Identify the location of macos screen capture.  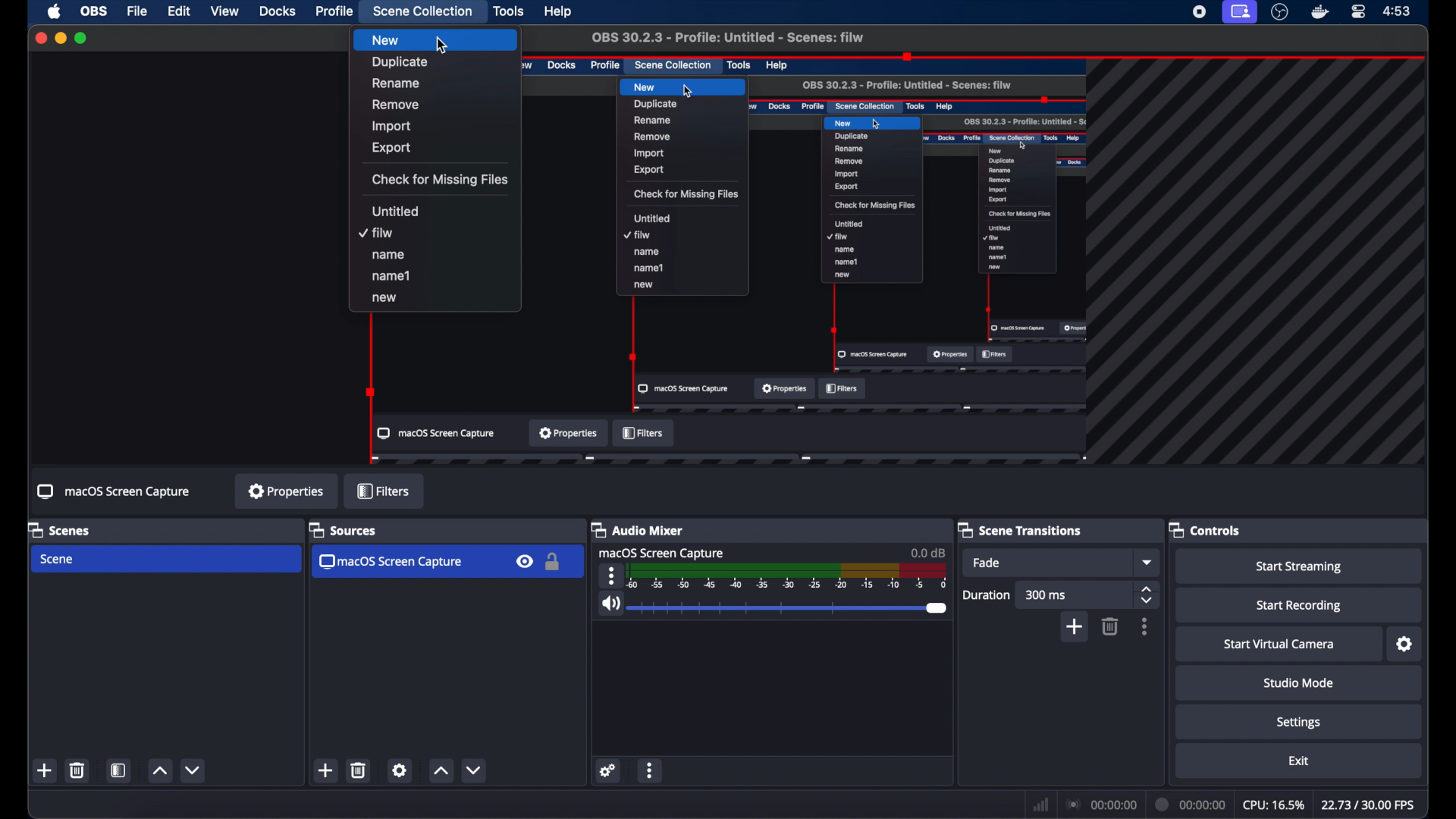
(395, 563).